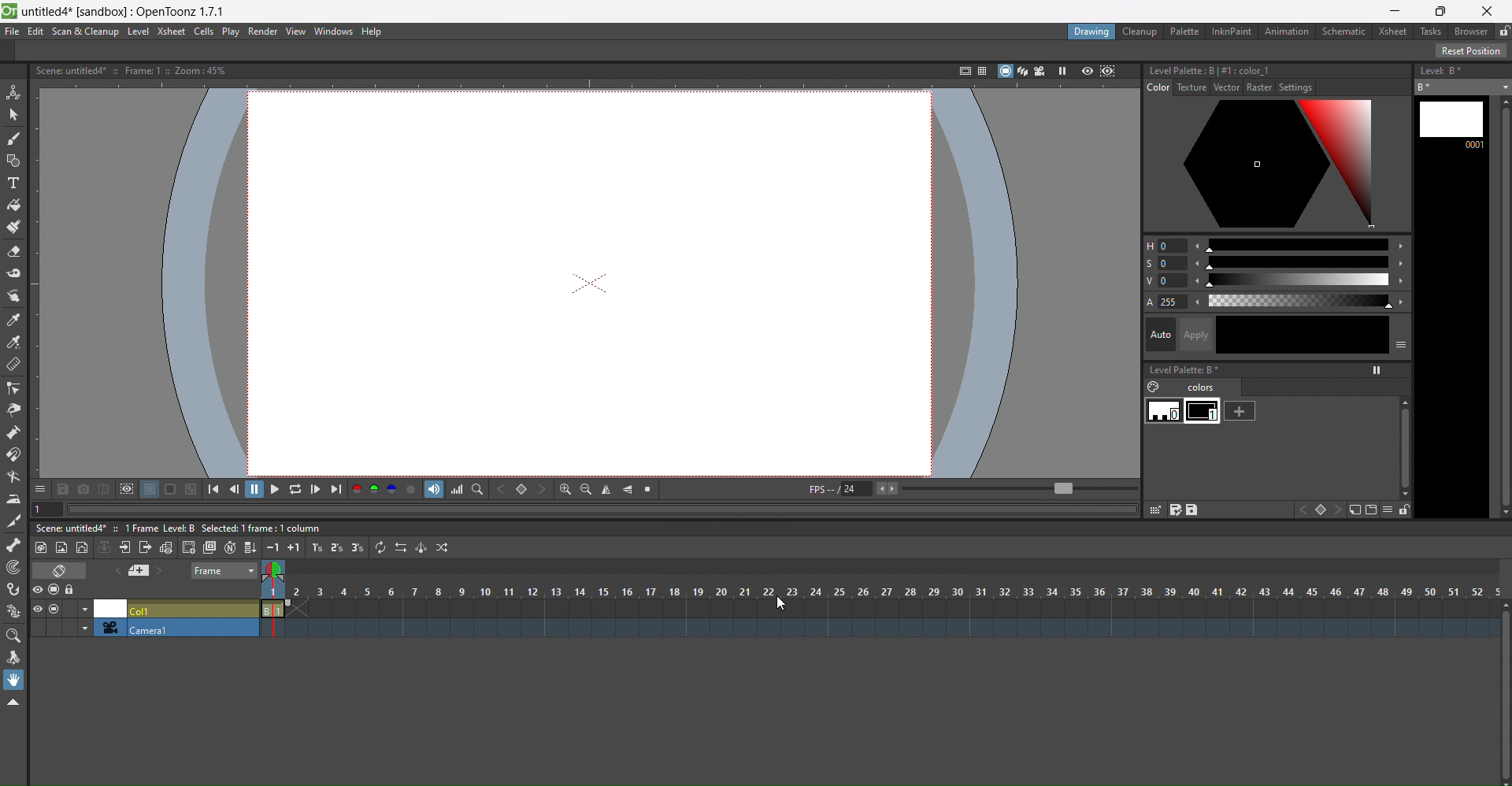 This screenshot has height=786, width=1512. I want to click on inknpaint, so click(1230, 32).